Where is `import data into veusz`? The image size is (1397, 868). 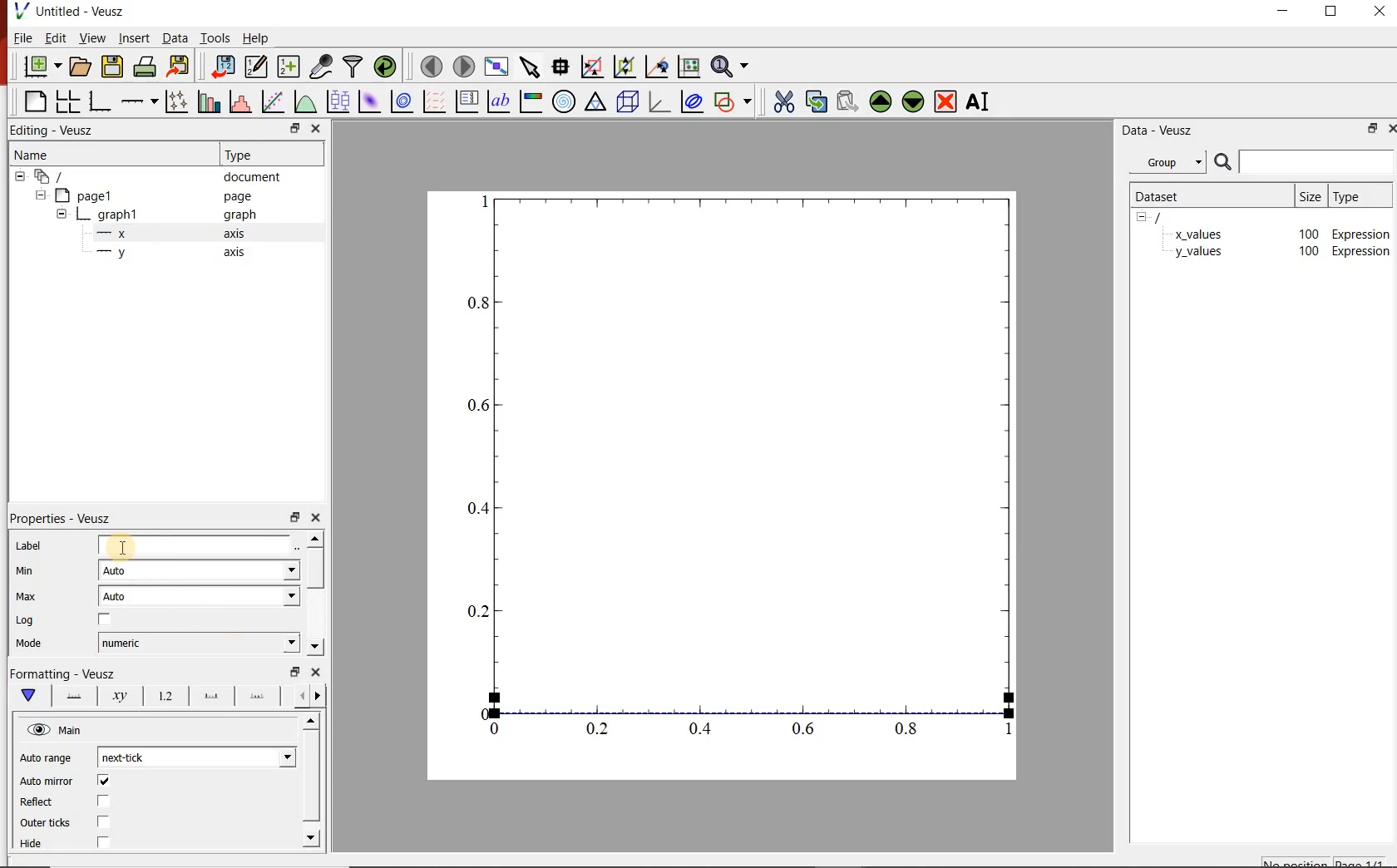 import data into veusz is located at coordinates (223, 67).